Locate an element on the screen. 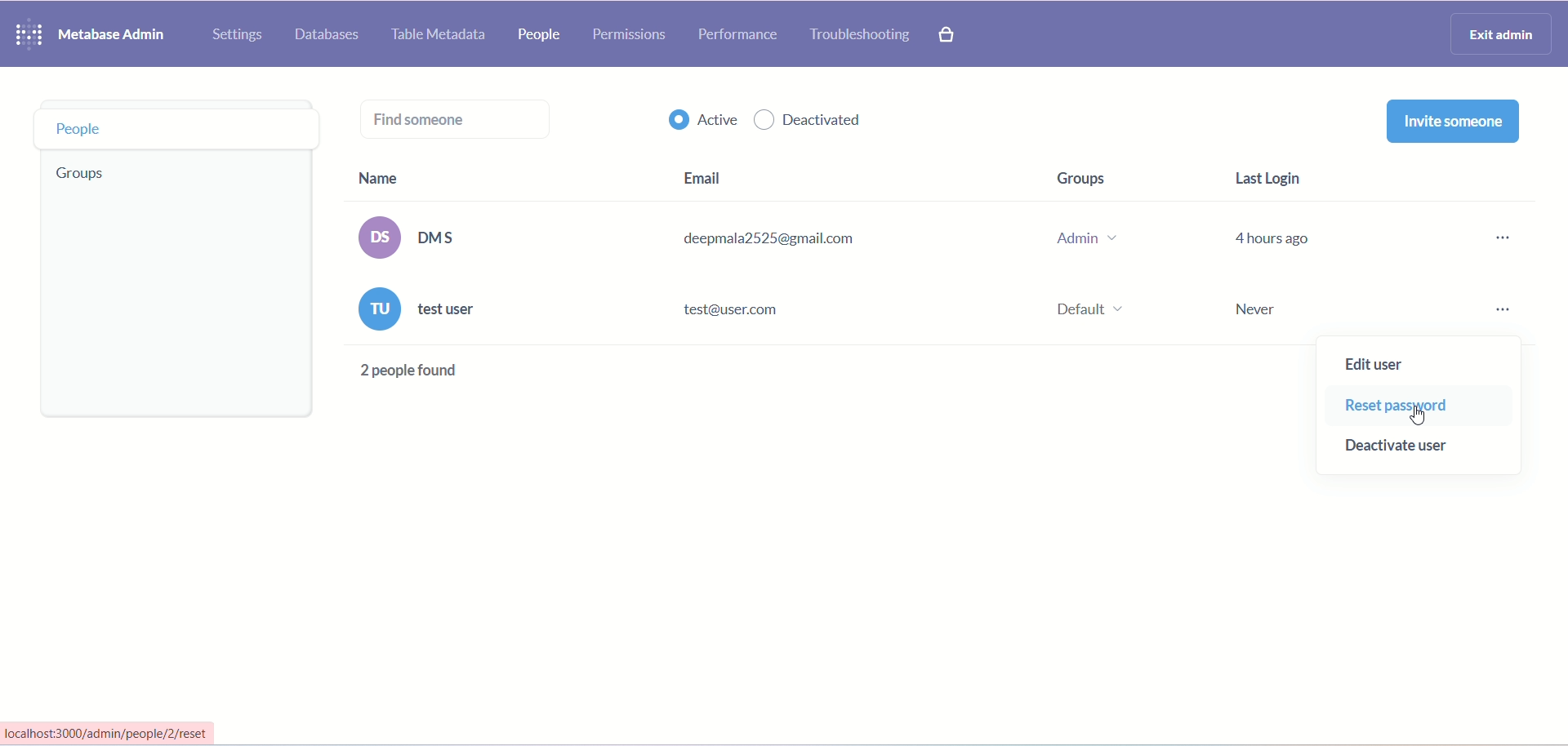  (os) DMS deepmala2525@gmail.com Admin v 4 hours ago is located at coordinates (835, 238).